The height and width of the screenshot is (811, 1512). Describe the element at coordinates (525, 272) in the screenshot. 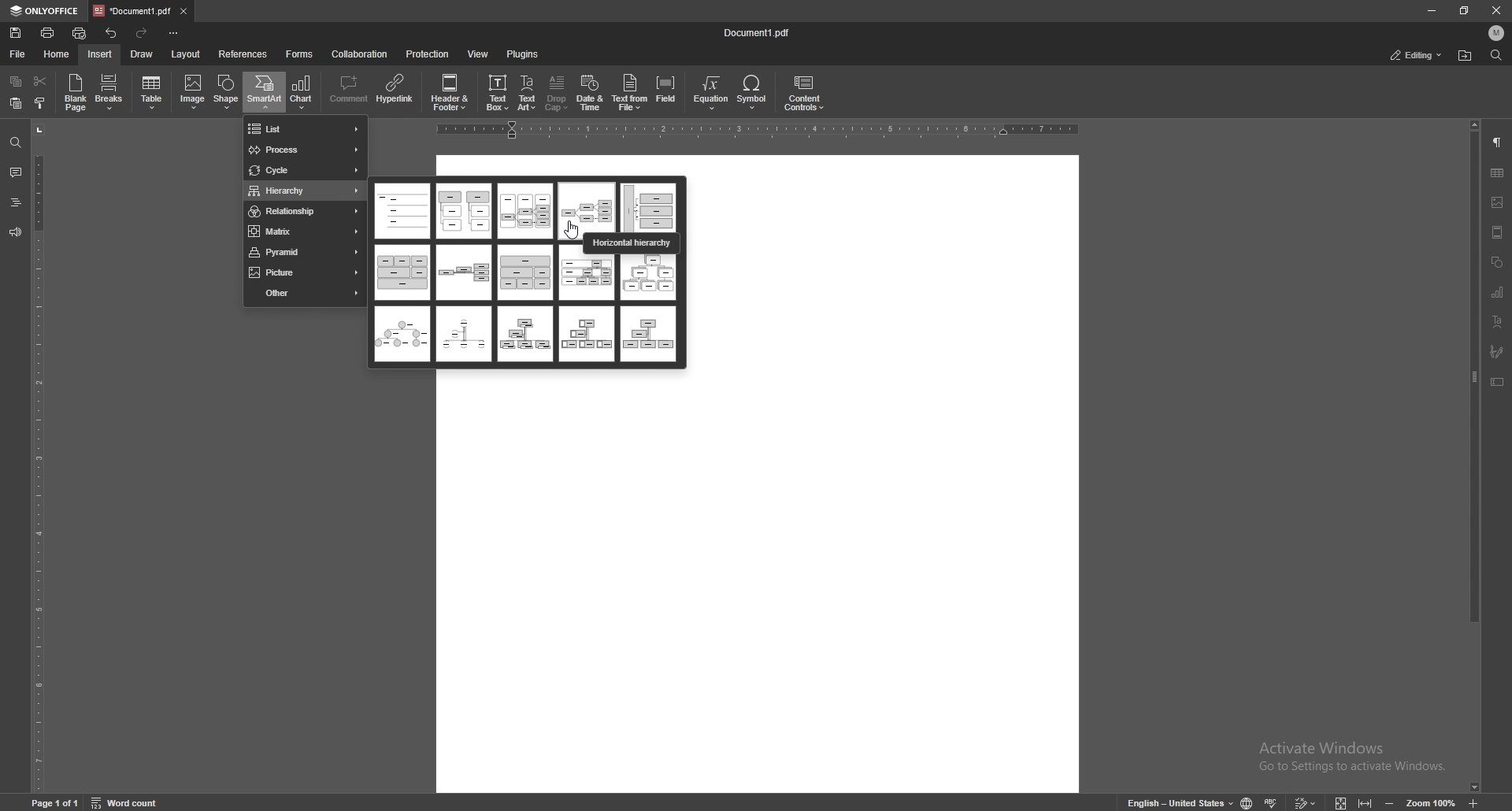

I see `hierarchy smart art` at that location.